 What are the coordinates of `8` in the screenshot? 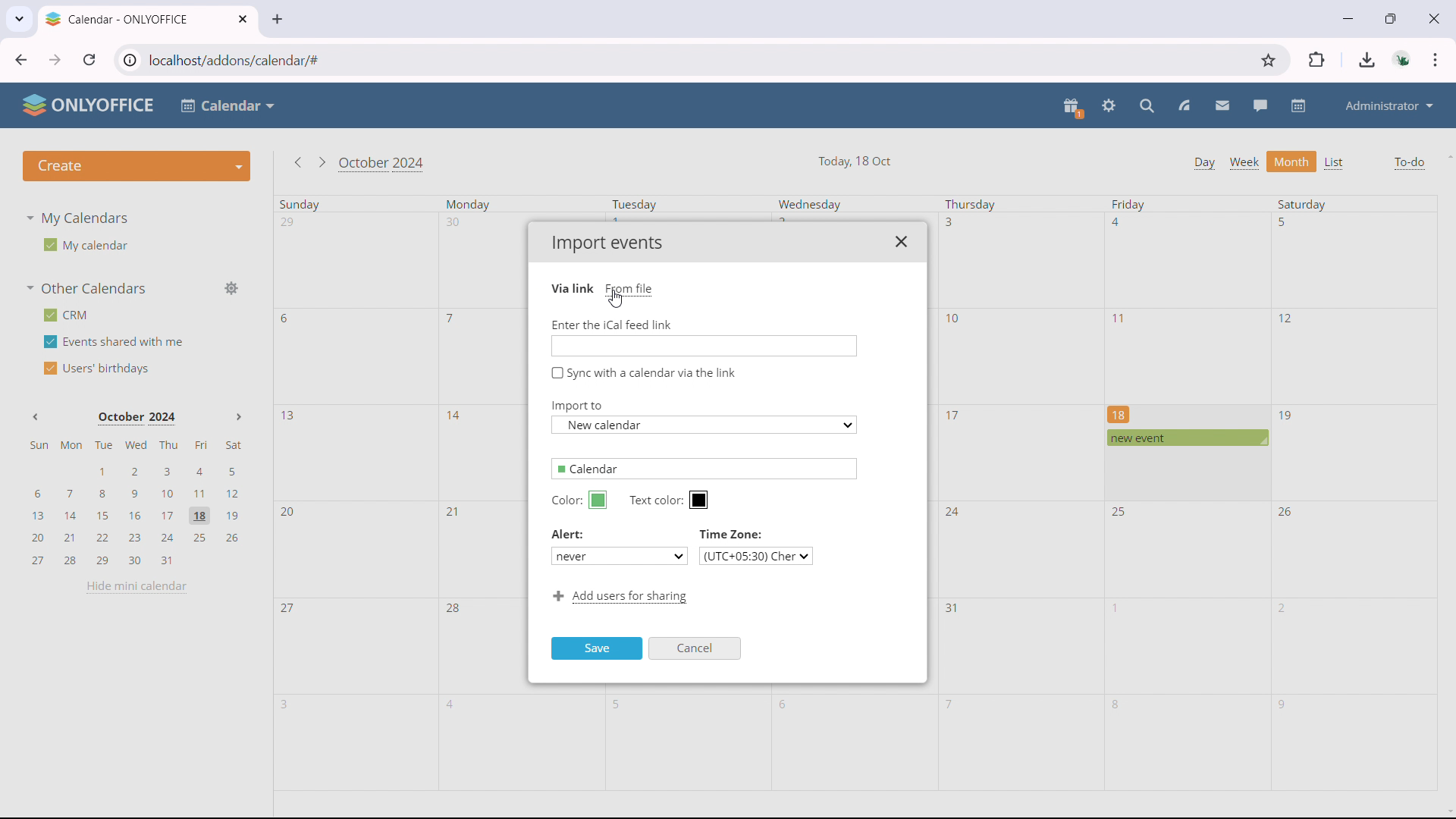 It's located at (1117, 704).